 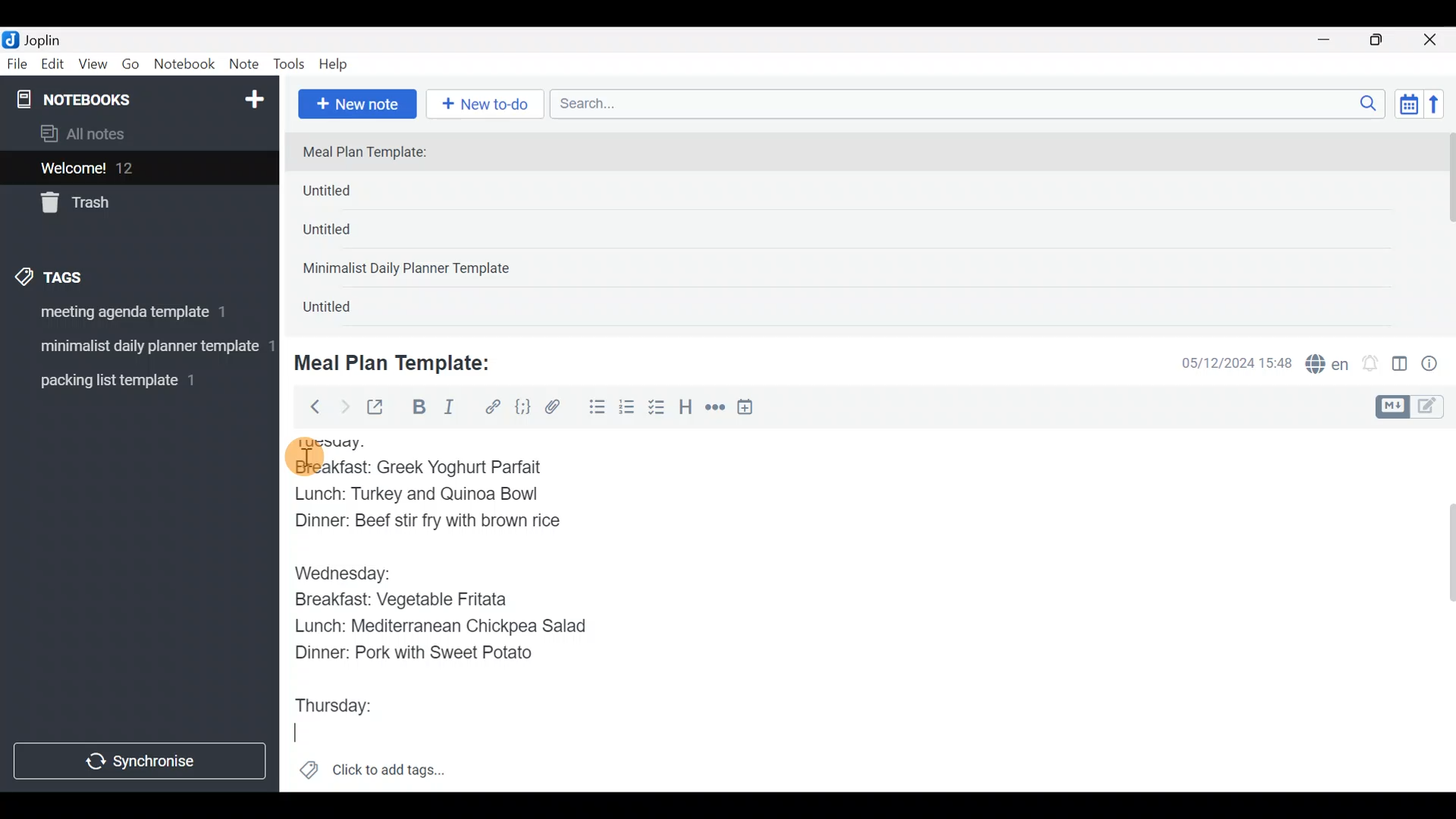 I want to click on Heading, so click(x=686, y=409).